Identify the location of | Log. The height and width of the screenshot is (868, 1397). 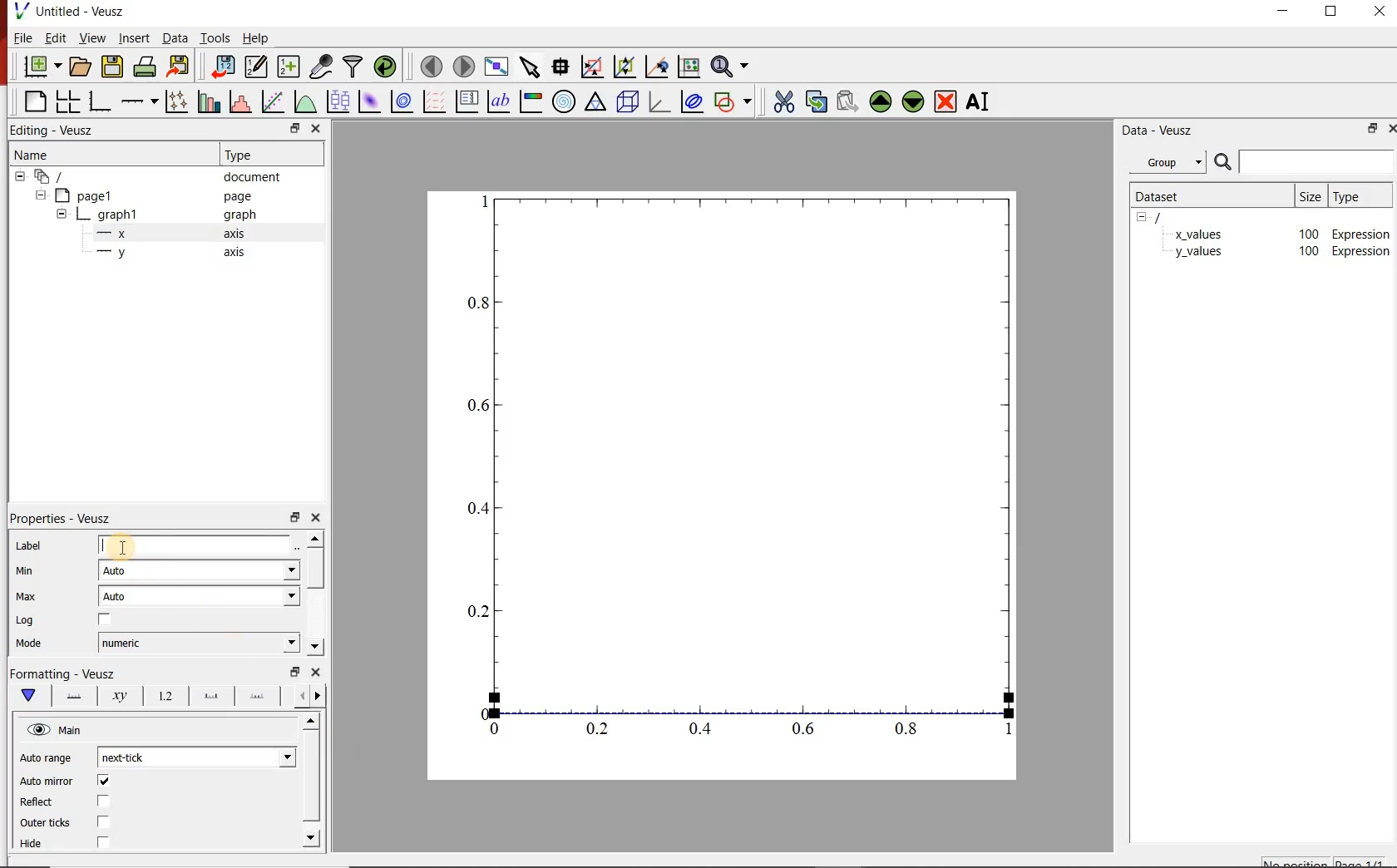
(27, 621).